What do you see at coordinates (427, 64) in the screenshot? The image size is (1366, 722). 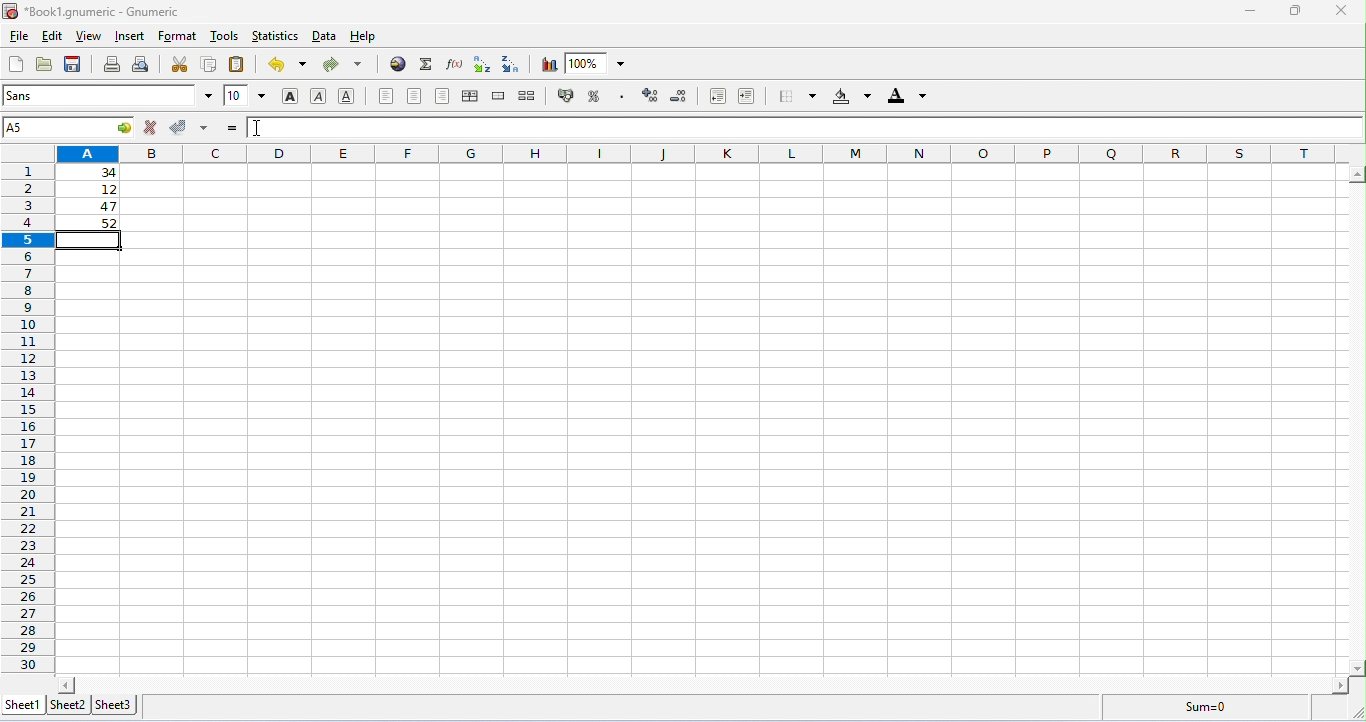 I see `sum` at bounding box center [427, 64].